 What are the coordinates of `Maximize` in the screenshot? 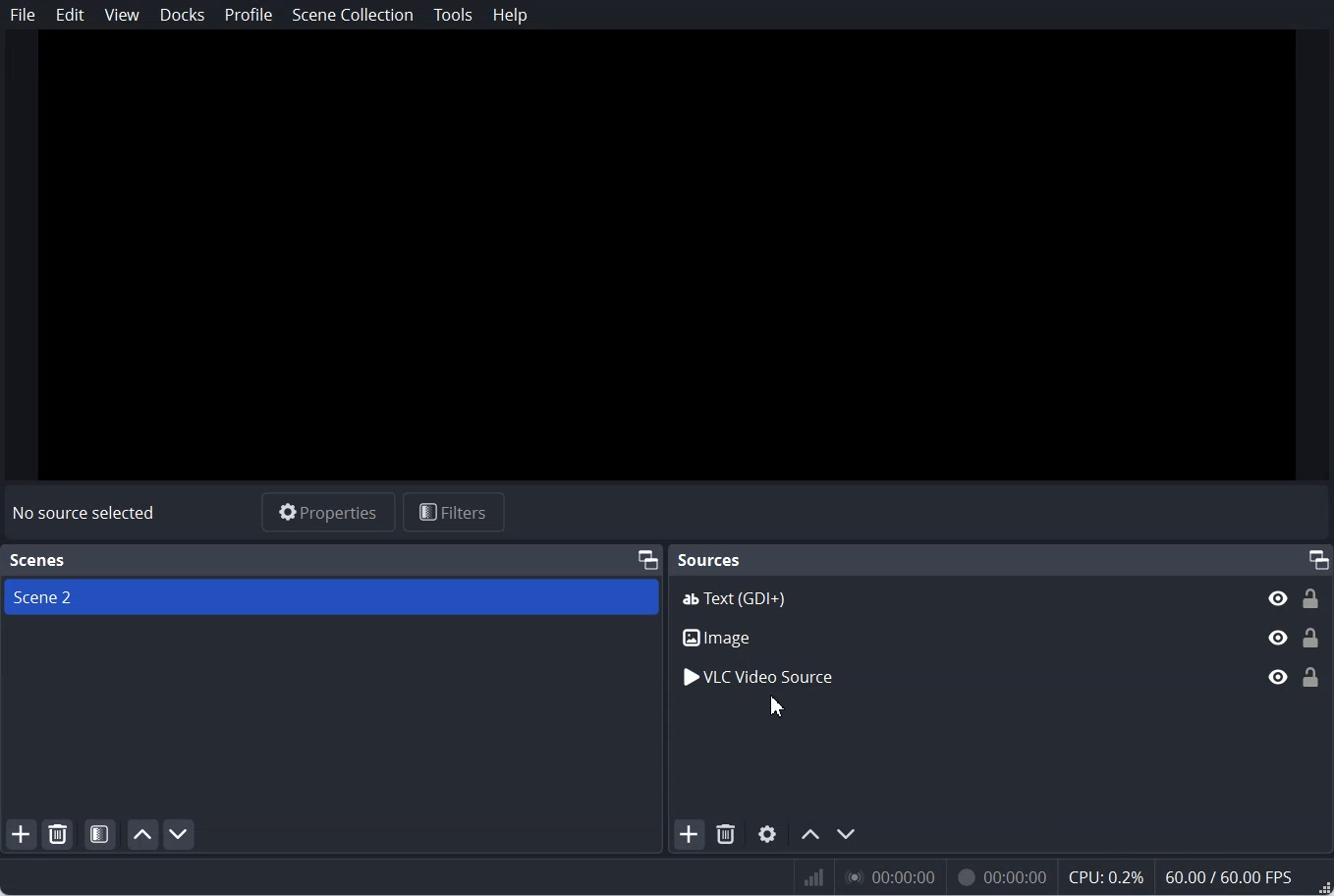 It's located at (646, 559).